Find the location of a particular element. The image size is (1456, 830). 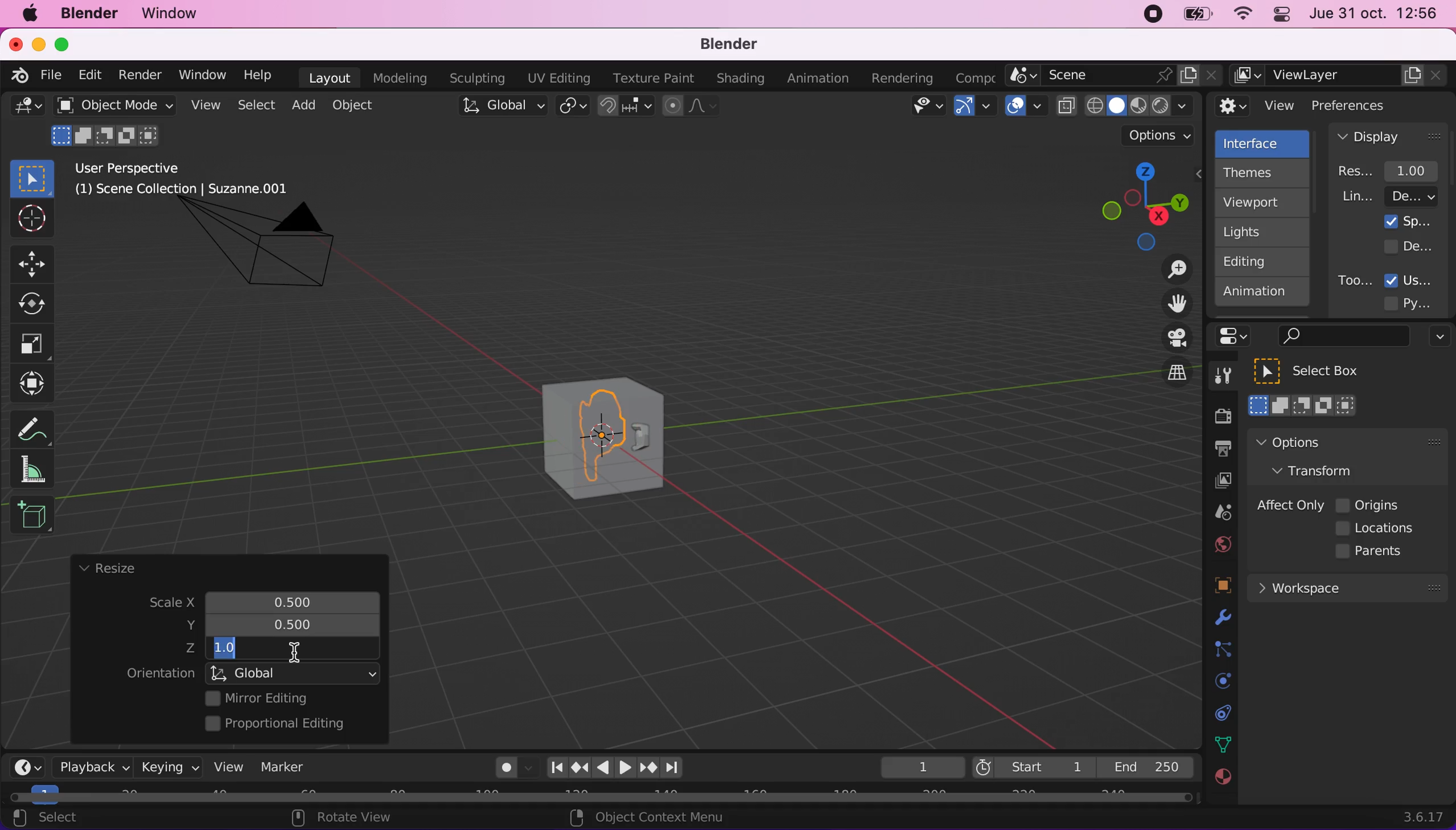

view is located at coordinates (1256, 106).